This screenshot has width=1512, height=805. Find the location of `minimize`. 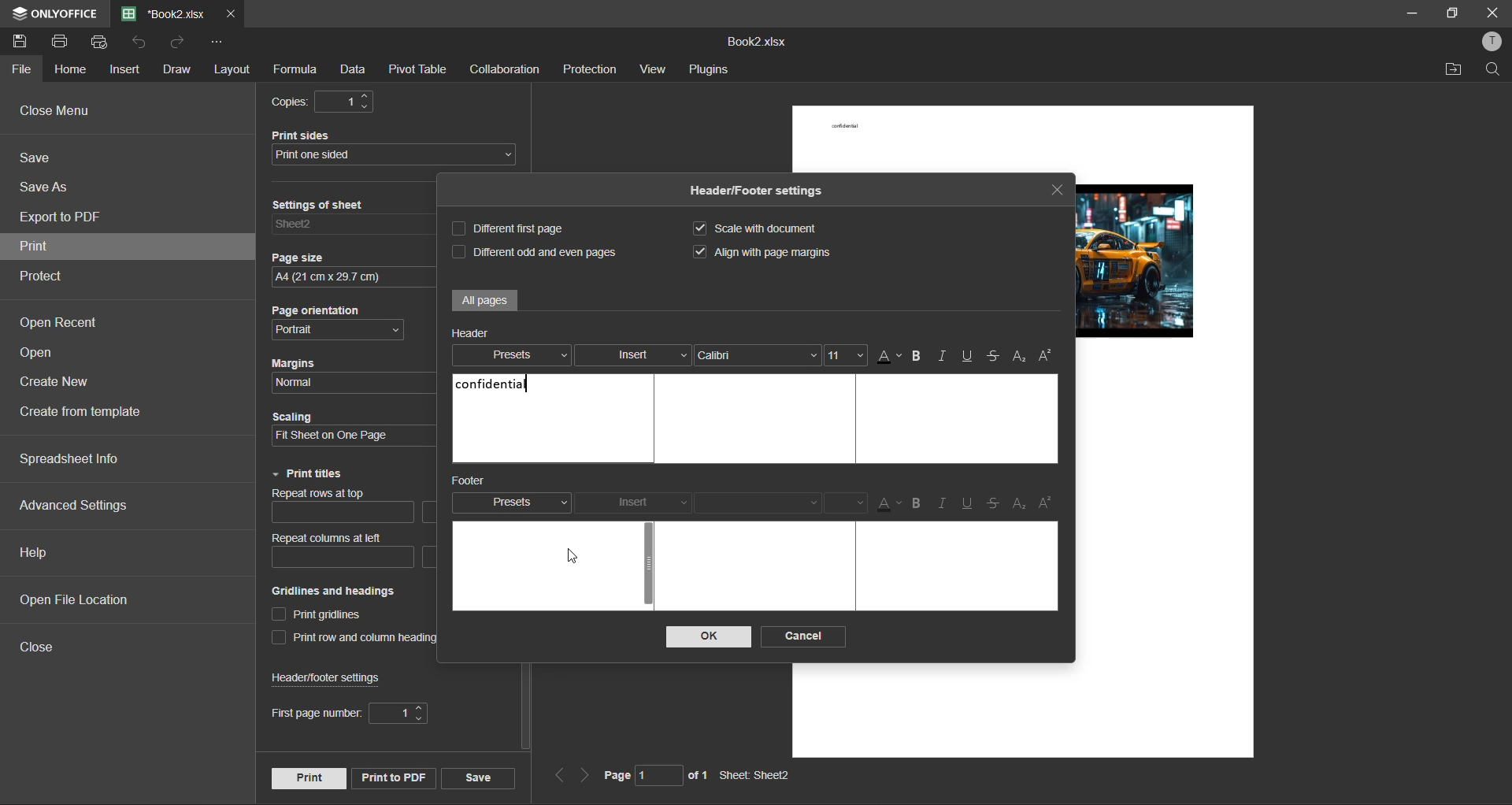

minimize is located at coordinates (1409, 13).